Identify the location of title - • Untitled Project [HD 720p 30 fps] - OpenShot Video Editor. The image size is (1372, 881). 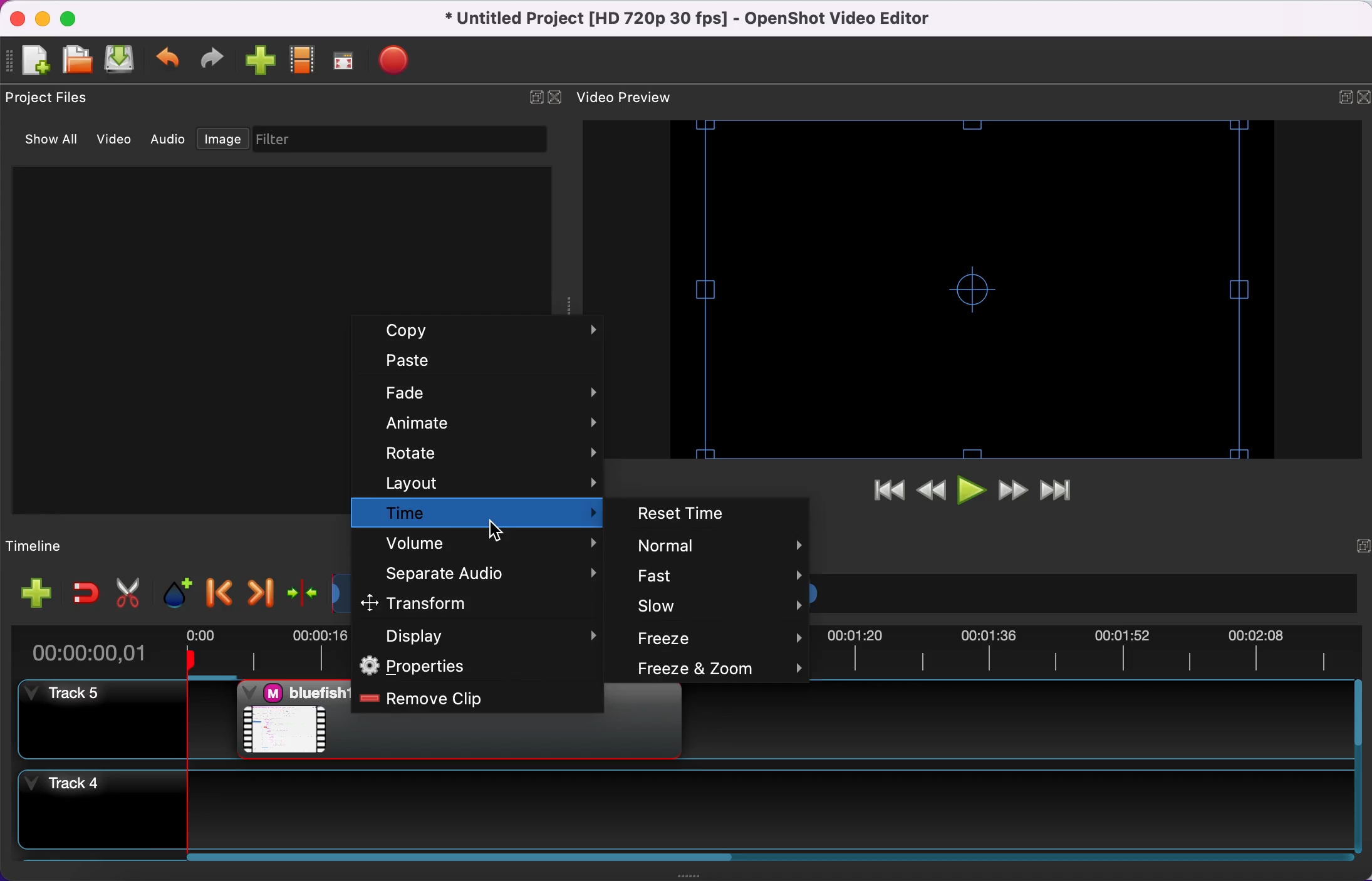
(725, 20).